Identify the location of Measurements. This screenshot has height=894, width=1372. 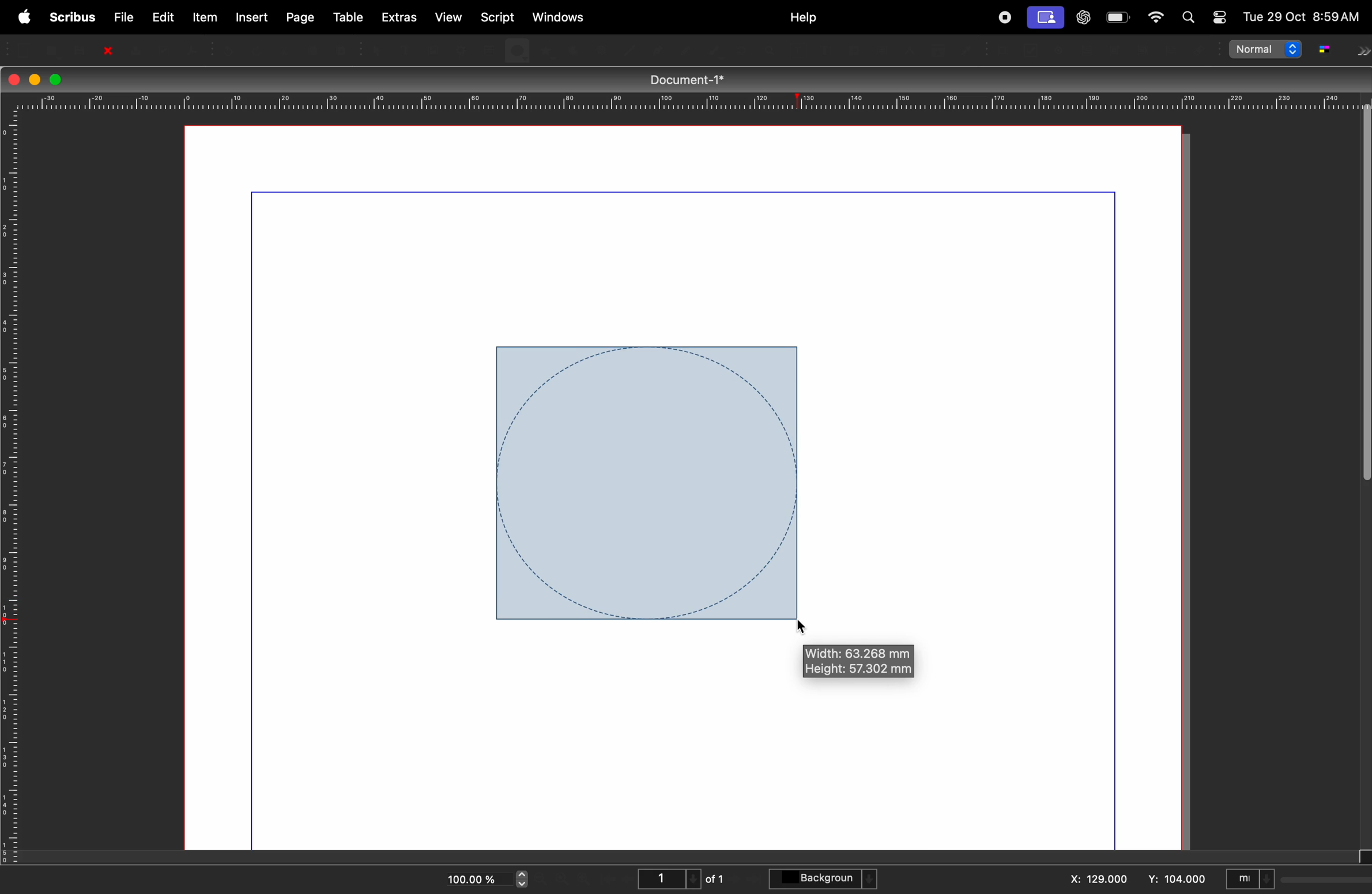
(910, 51).